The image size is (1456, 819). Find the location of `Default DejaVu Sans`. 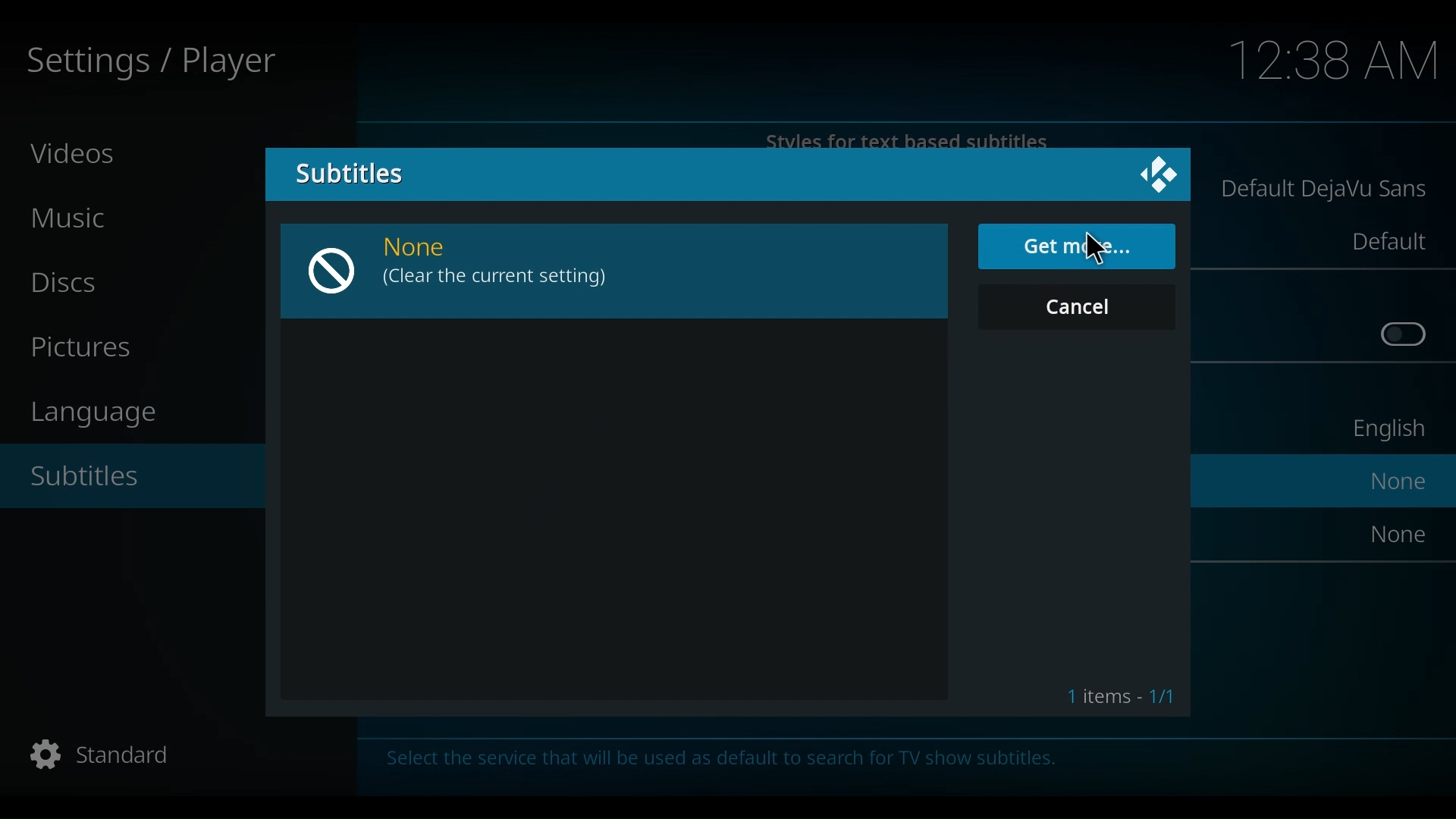

Default DejaVu Sans is located at coordinates (1325, 191).